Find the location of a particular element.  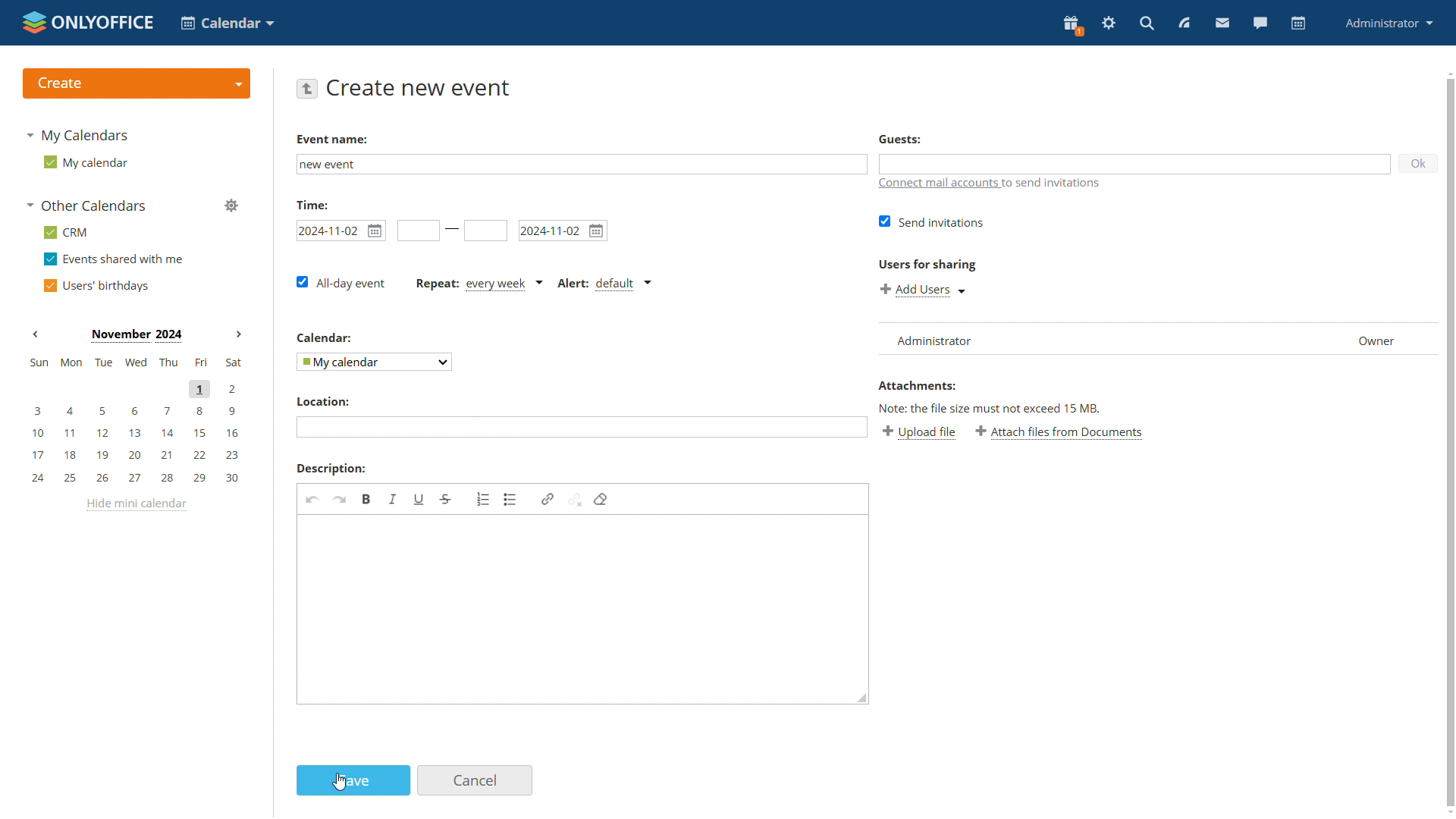

insert/remove numbered list is located at coordinates (483, 497).